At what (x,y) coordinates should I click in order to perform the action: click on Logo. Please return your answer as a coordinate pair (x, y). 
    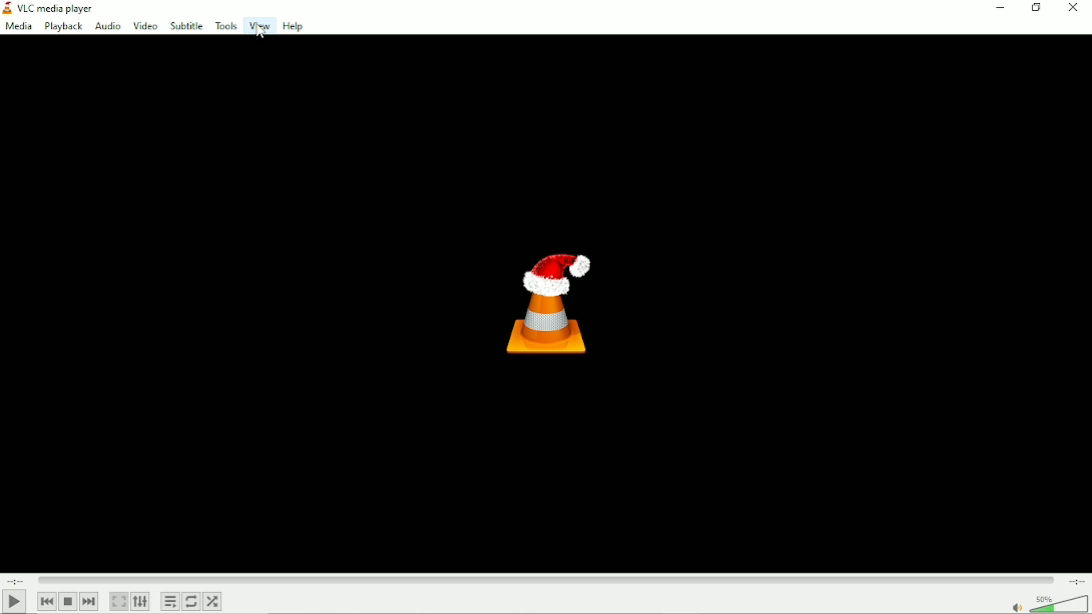
    Looking at the image, I should click on (547, 304).